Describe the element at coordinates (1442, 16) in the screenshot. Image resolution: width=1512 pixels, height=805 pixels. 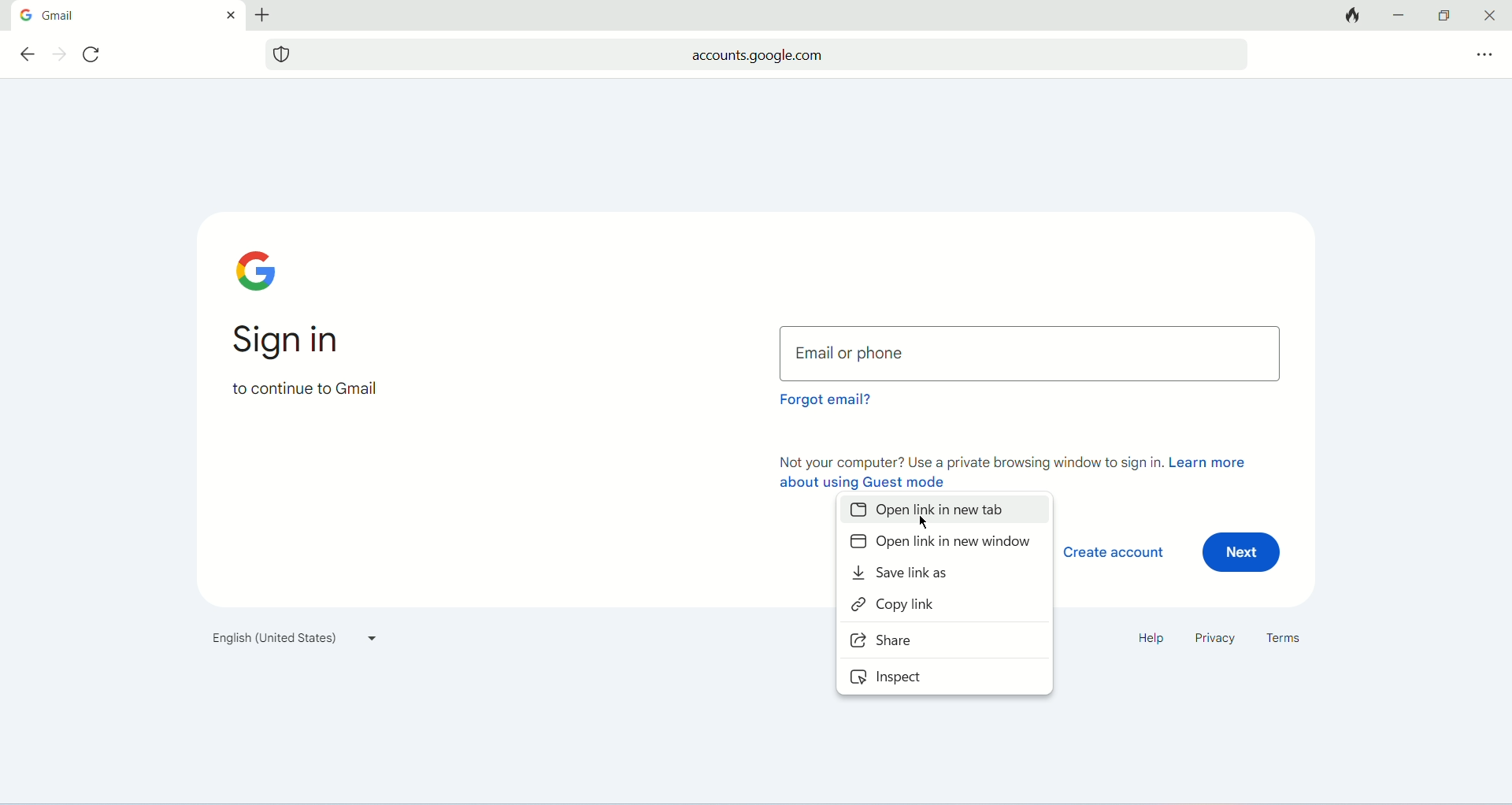
I see `maximize` at that location.